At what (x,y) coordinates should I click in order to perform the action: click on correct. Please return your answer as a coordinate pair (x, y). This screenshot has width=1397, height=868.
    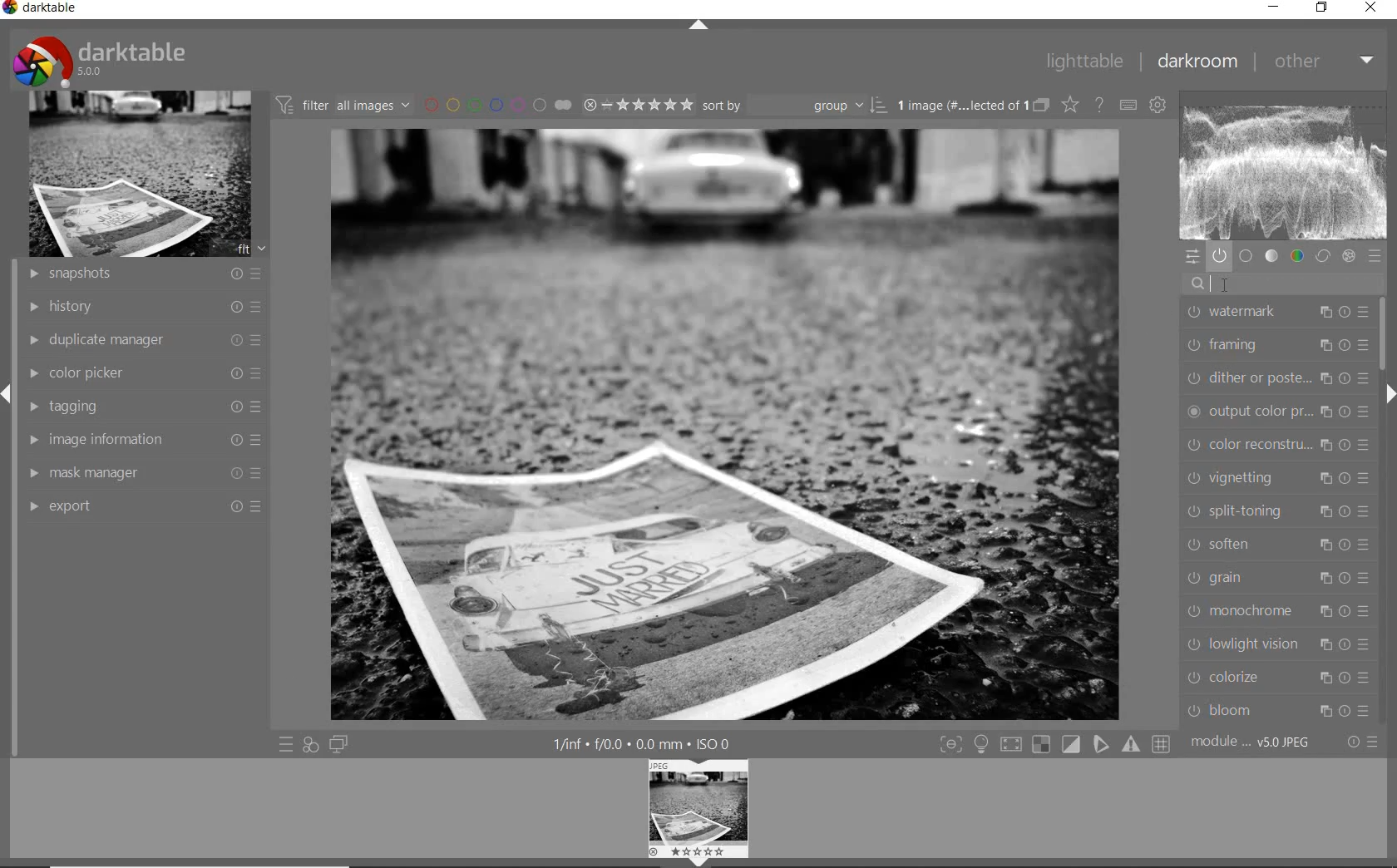
    Looking at the image, I should click on (1323, 256).